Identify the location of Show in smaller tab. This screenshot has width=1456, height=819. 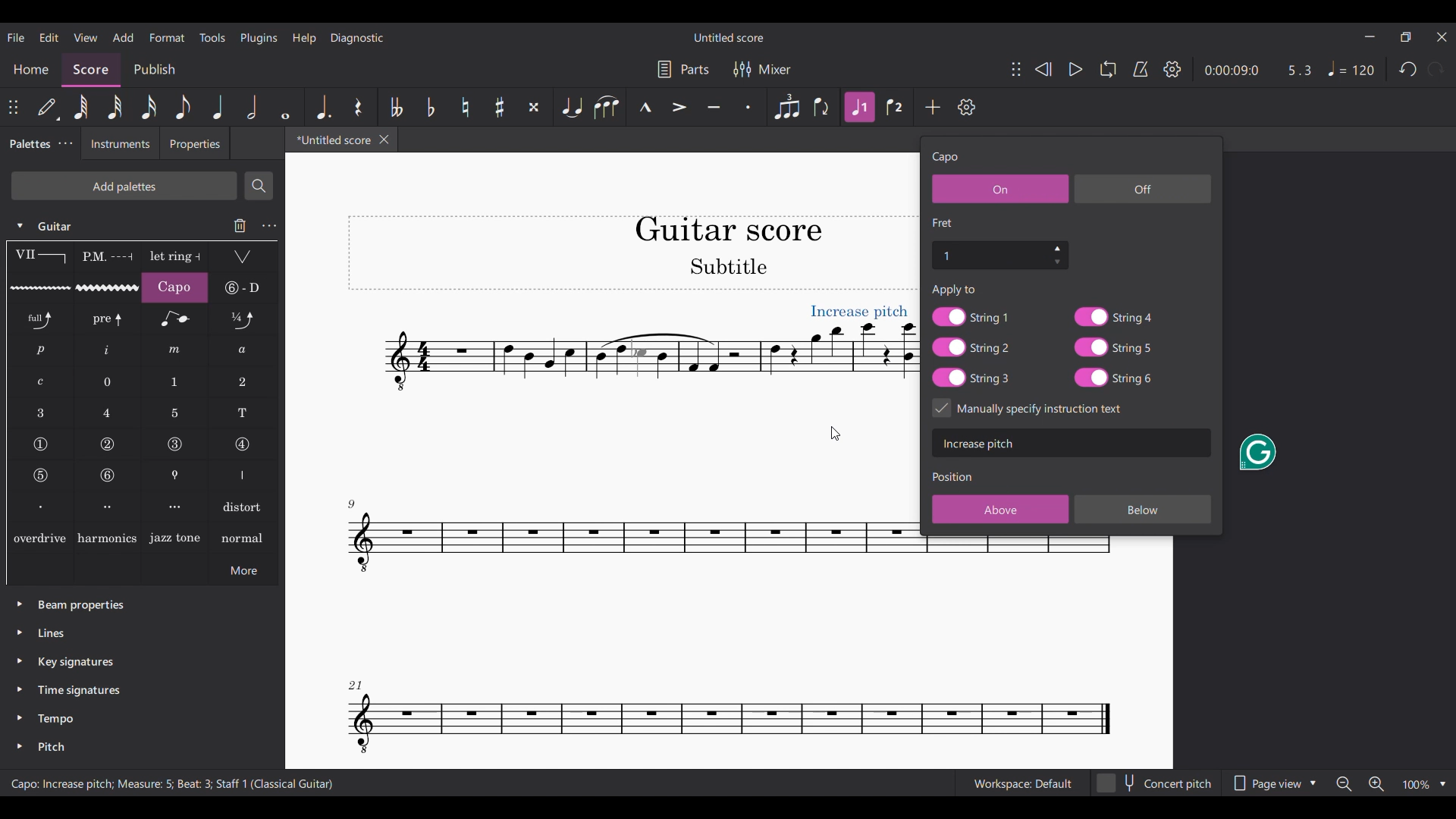
(1406, 37).